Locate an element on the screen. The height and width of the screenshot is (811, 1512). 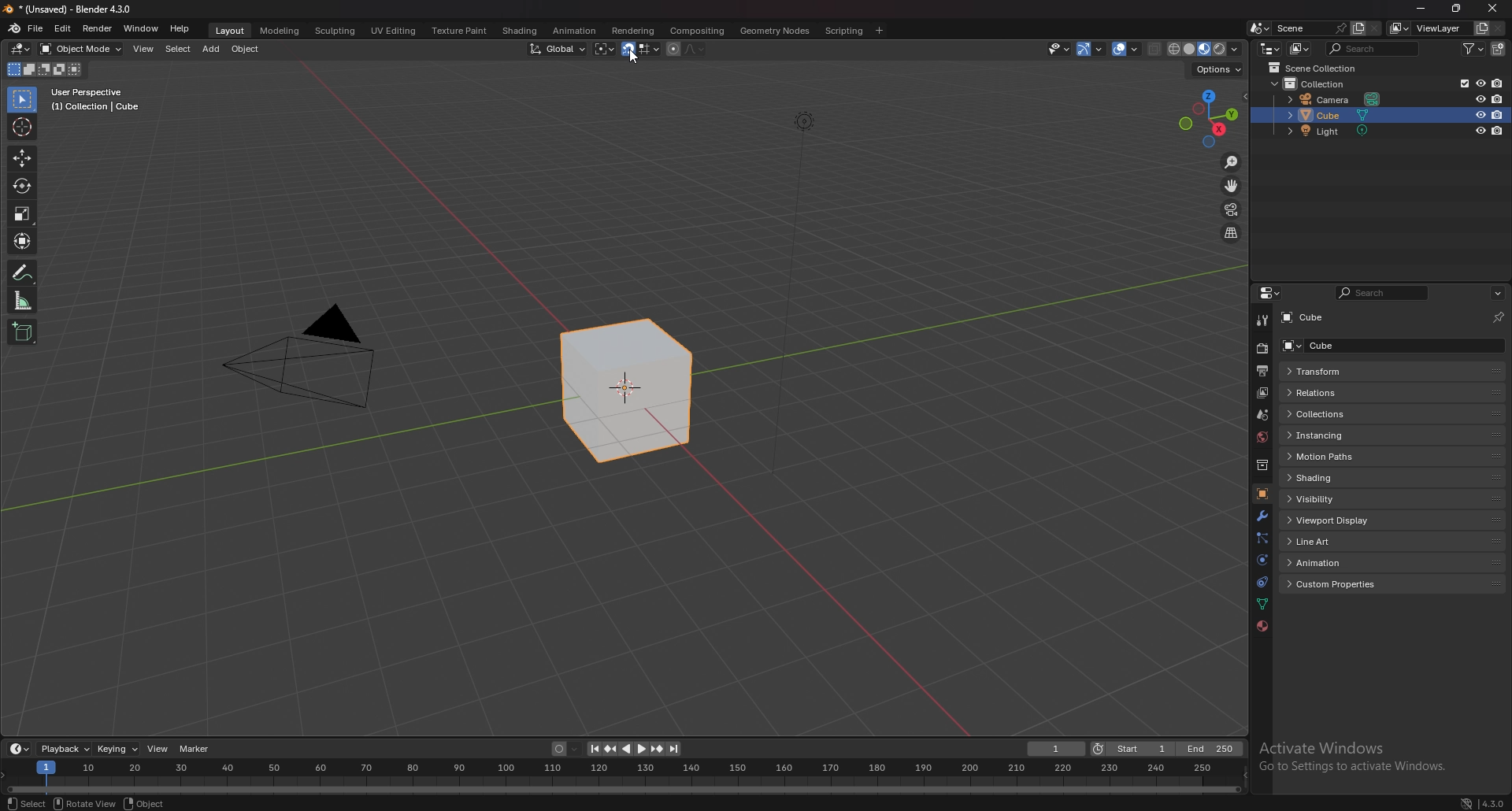
scene is located at coordinates (1310, 28).